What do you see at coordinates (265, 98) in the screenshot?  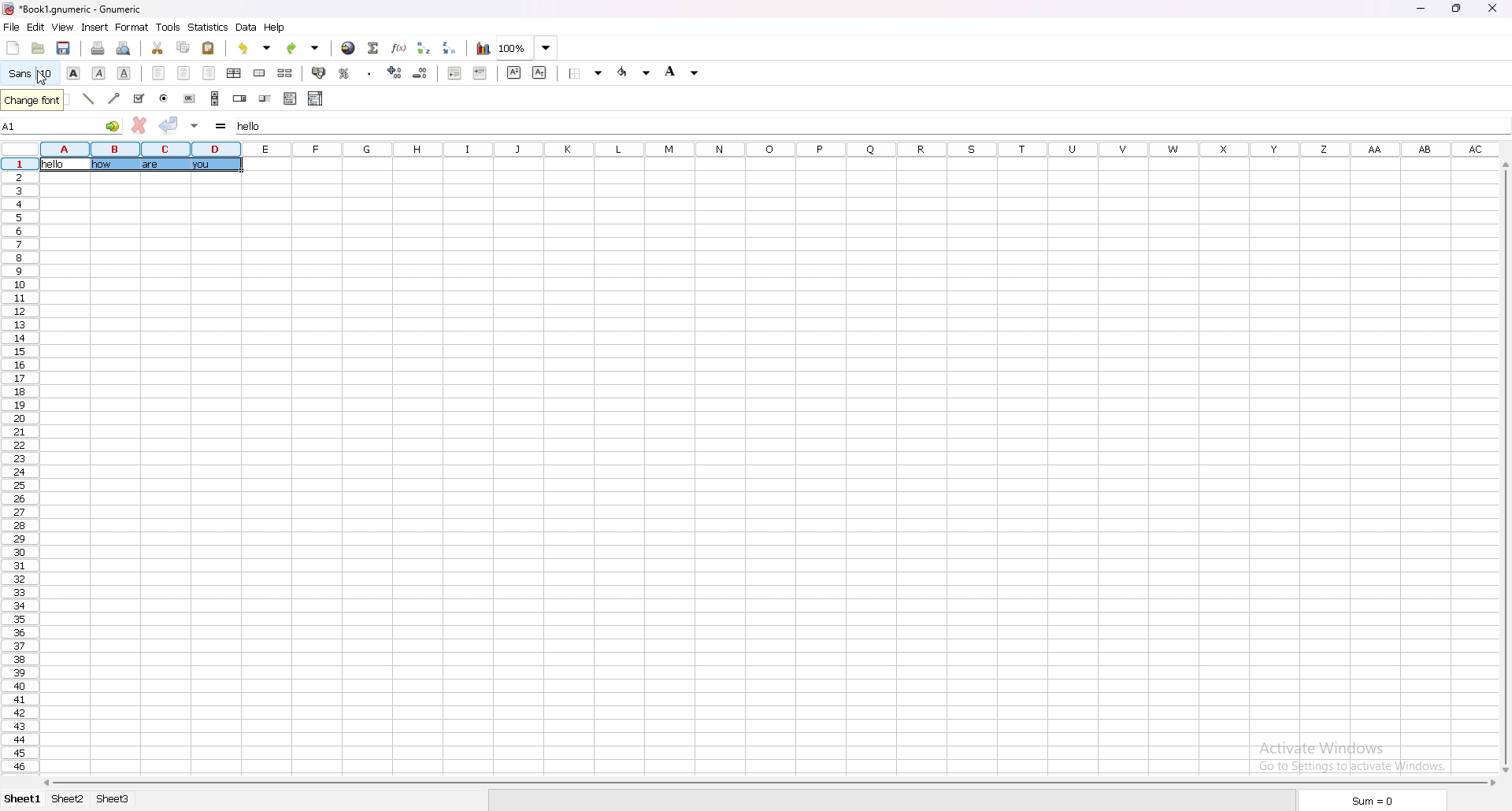 I see `slider` at bounding box center [265, 98].